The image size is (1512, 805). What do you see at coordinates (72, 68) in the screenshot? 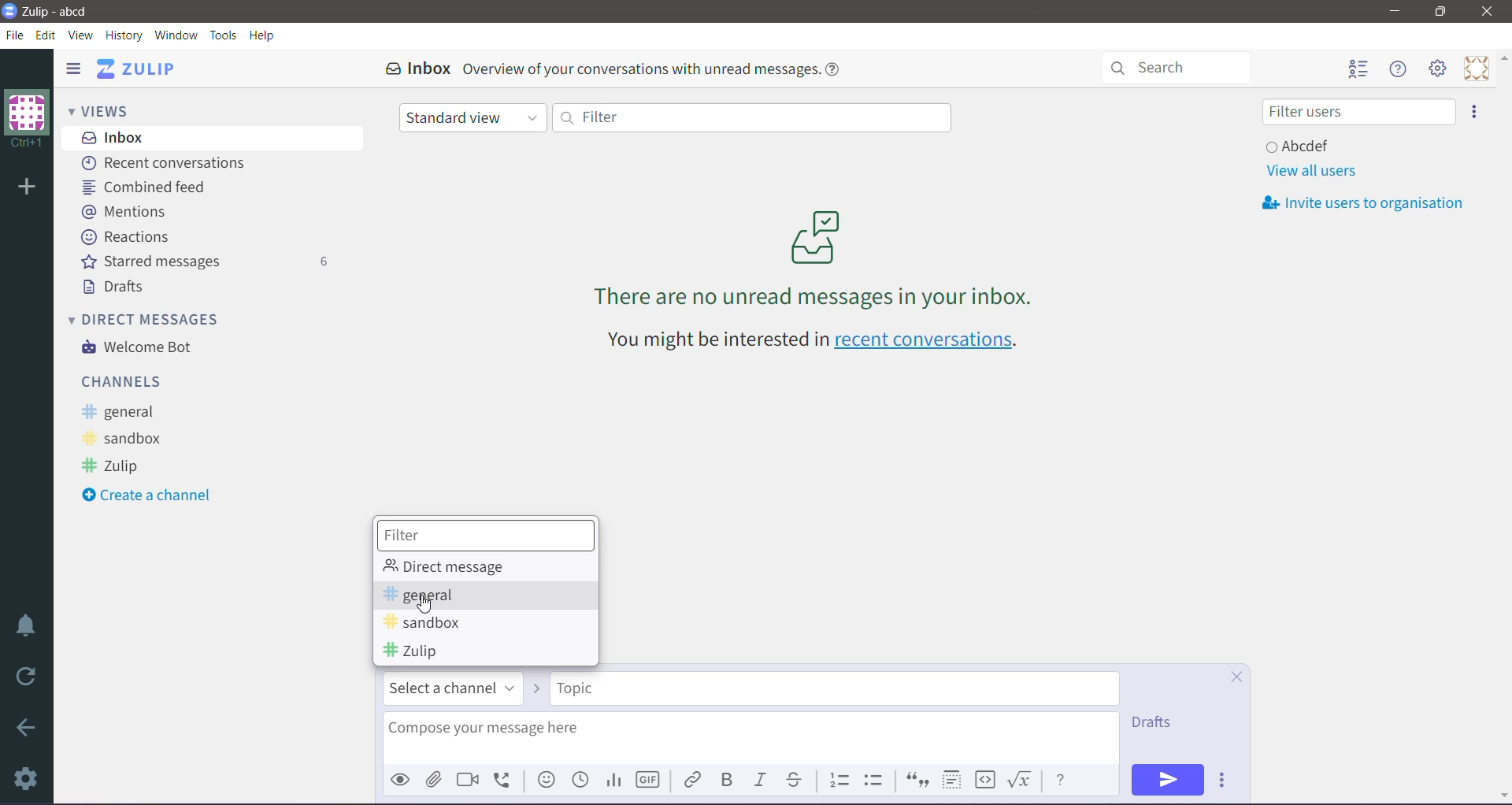
I see `Hide left sidebar` at bounding box center [72, 68].